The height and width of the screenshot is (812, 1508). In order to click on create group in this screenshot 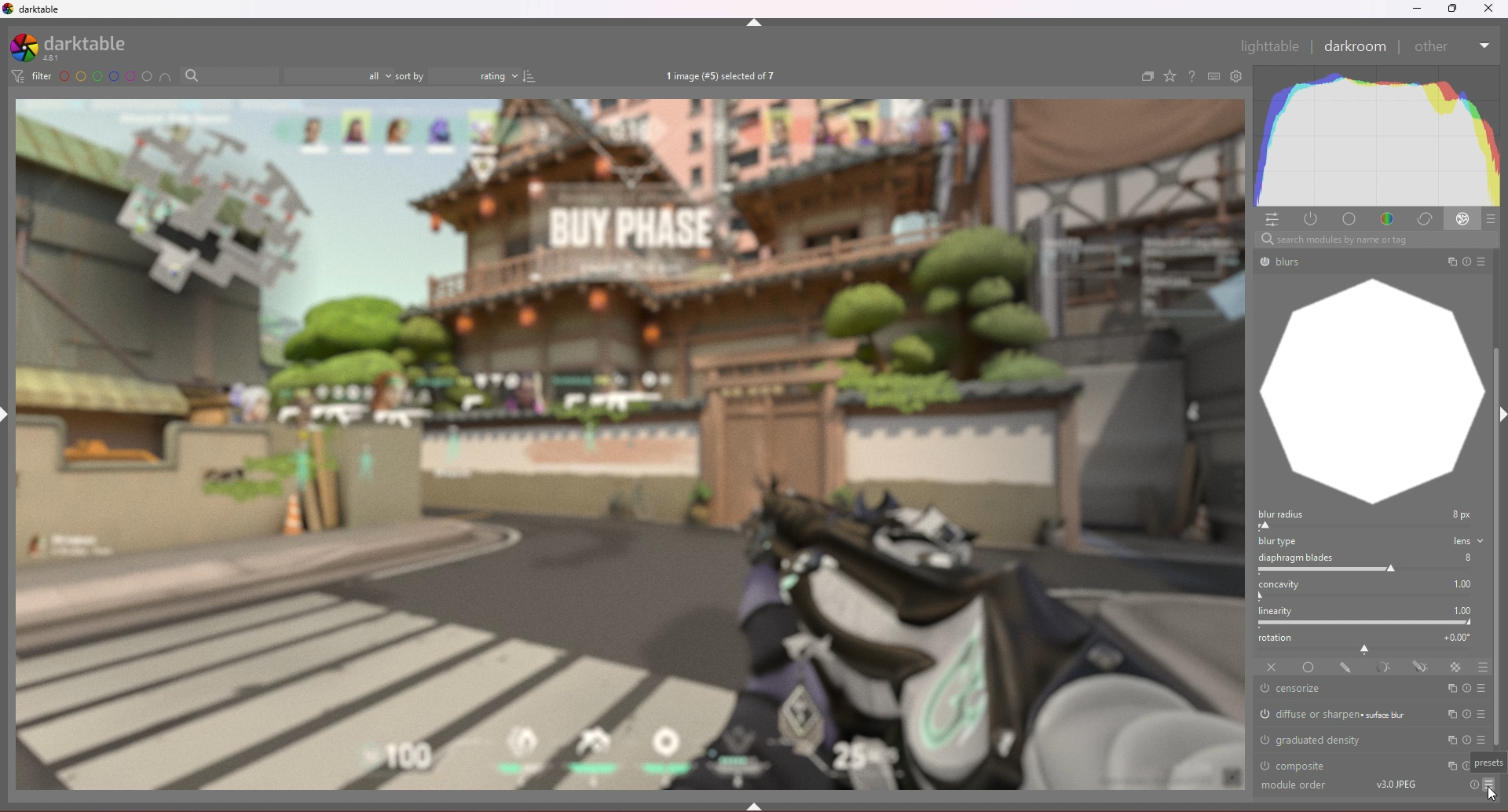, I will do `click(1147, 76)`.